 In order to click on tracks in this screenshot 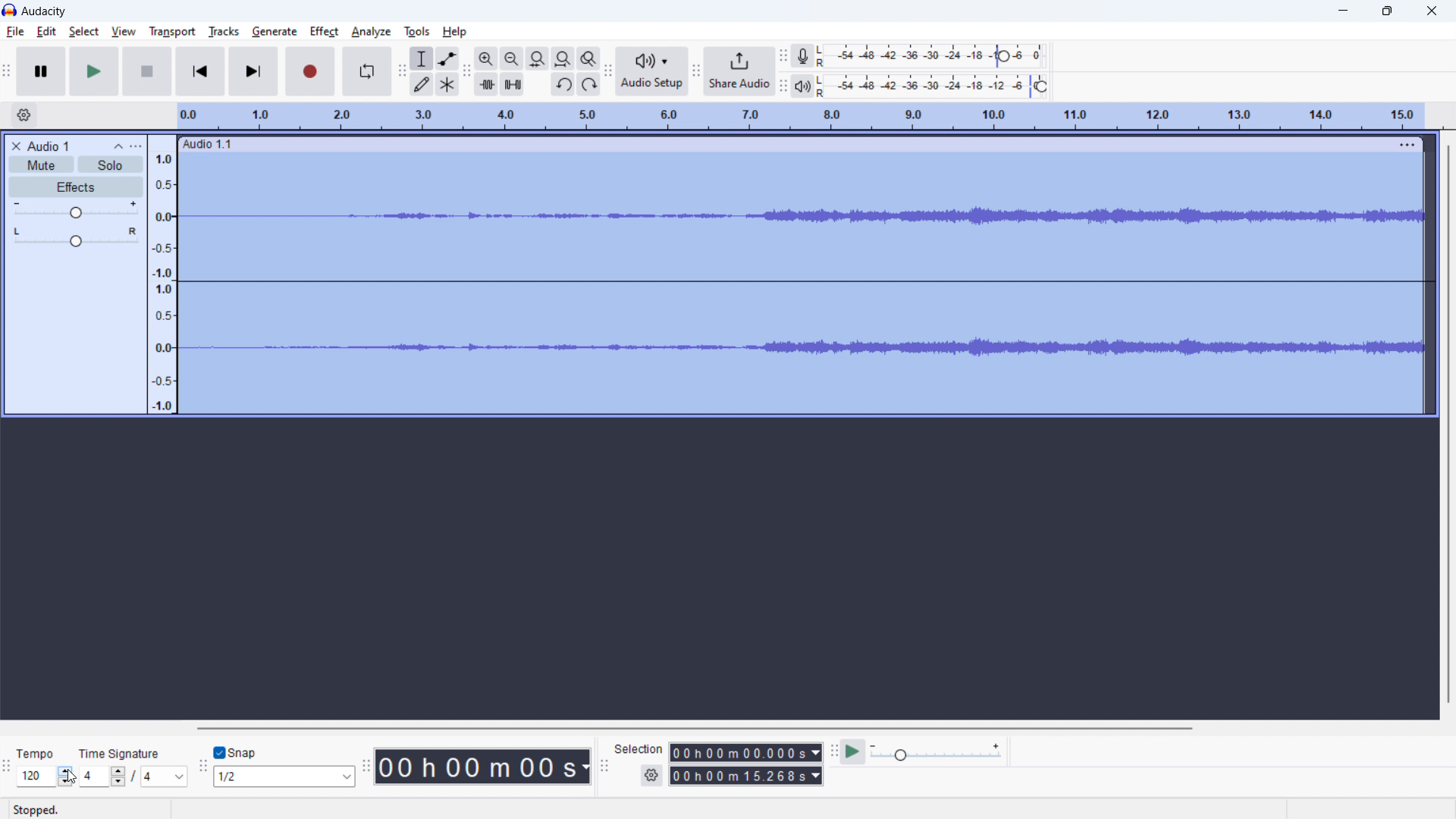, I will do `click(223, 32)`.